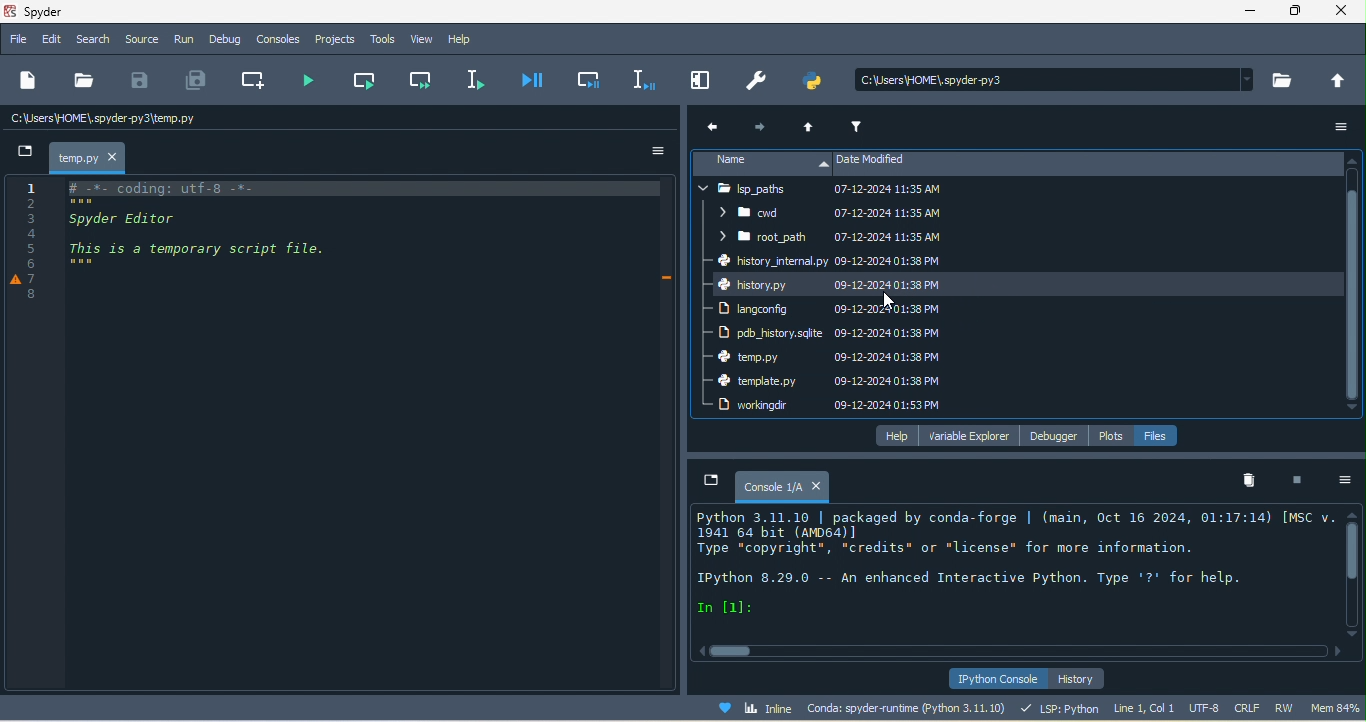 The image size is (1366, 722). Describe the element at coordinates (1017, 653) in the screenshot. I see `horizontal scroll bar` at that location.